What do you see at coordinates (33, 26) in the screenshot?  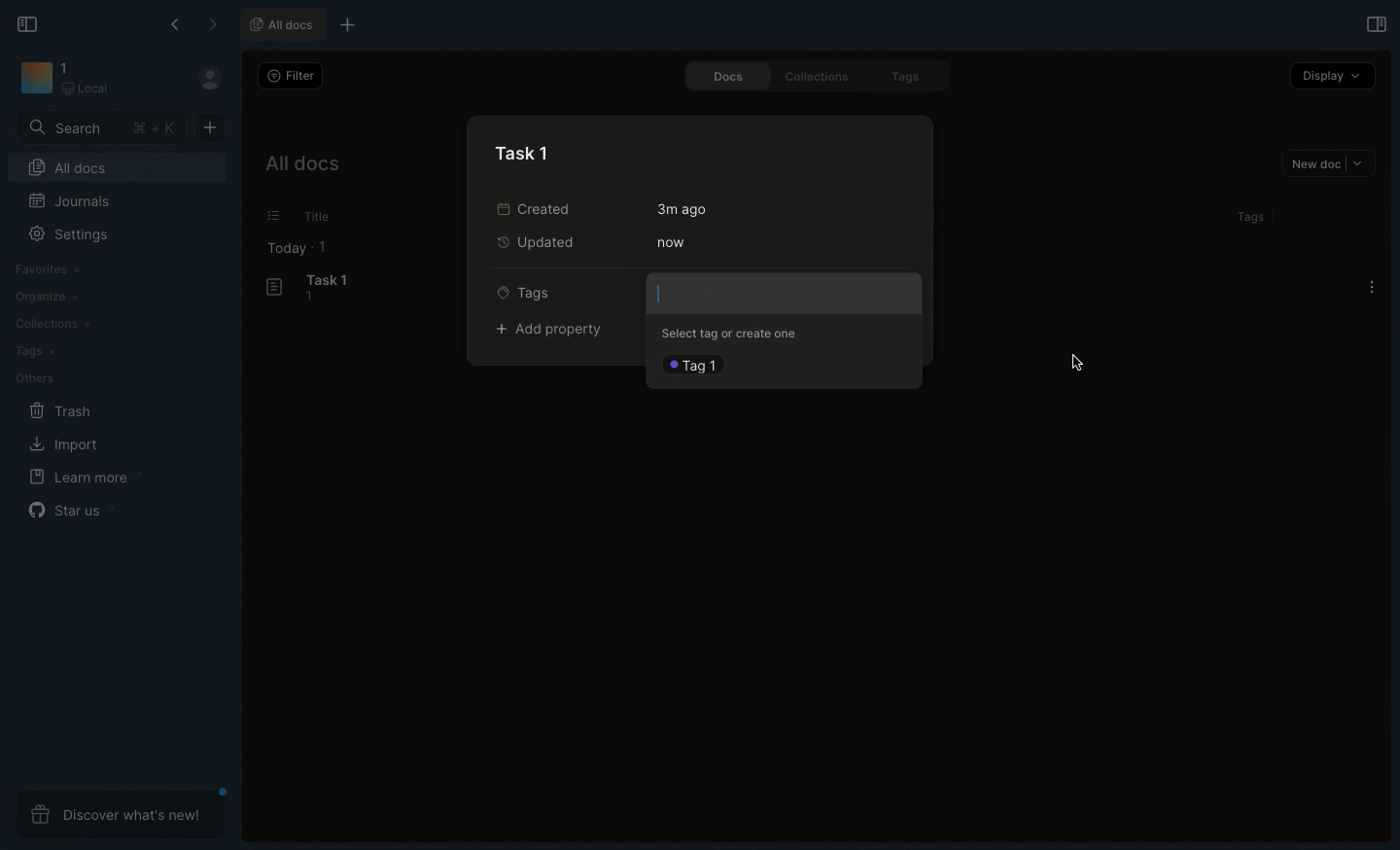 I see `Collapse sidebar` at bounding box center [33, 26].